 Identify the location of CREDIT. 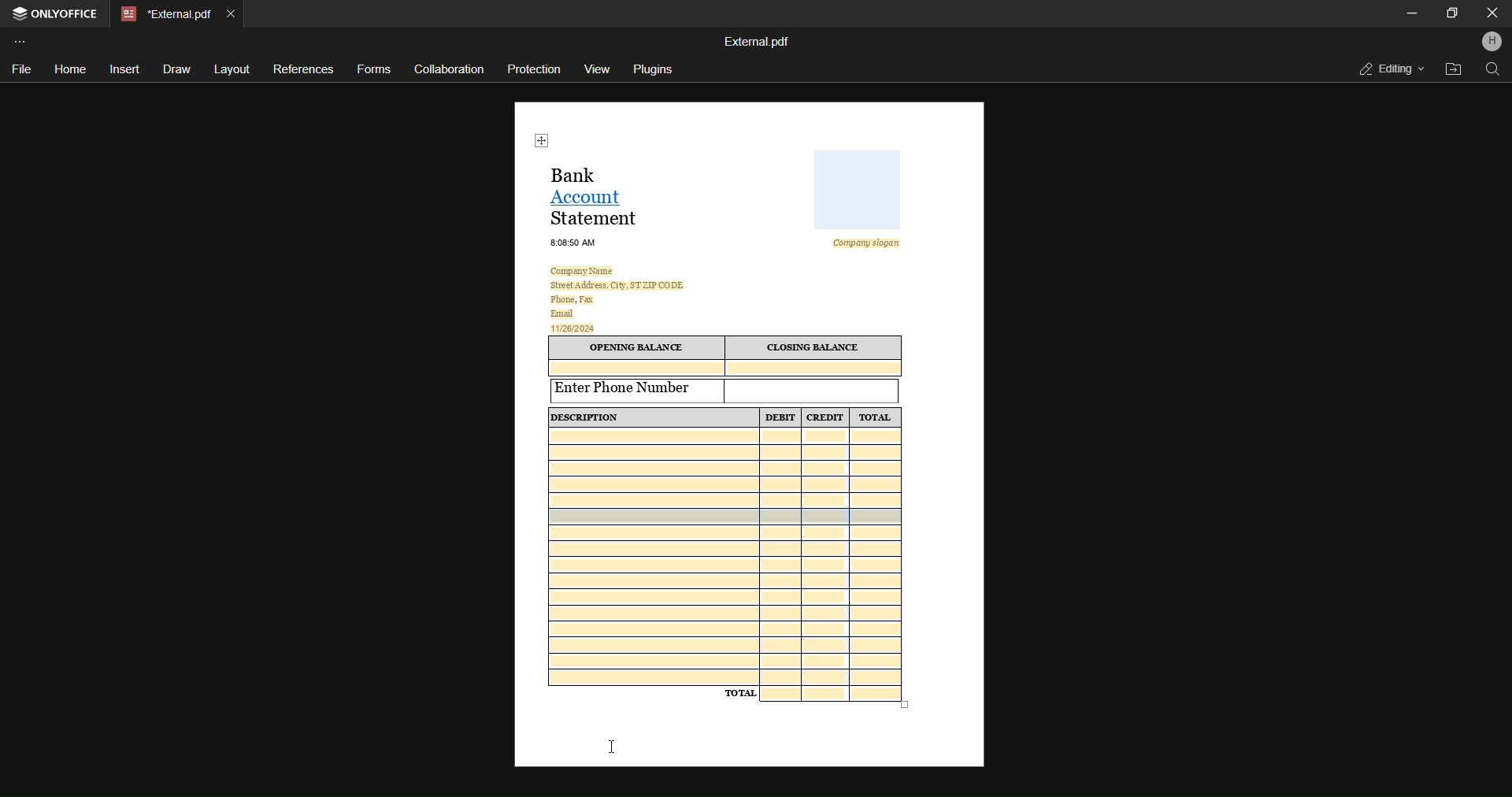
(825, 418).